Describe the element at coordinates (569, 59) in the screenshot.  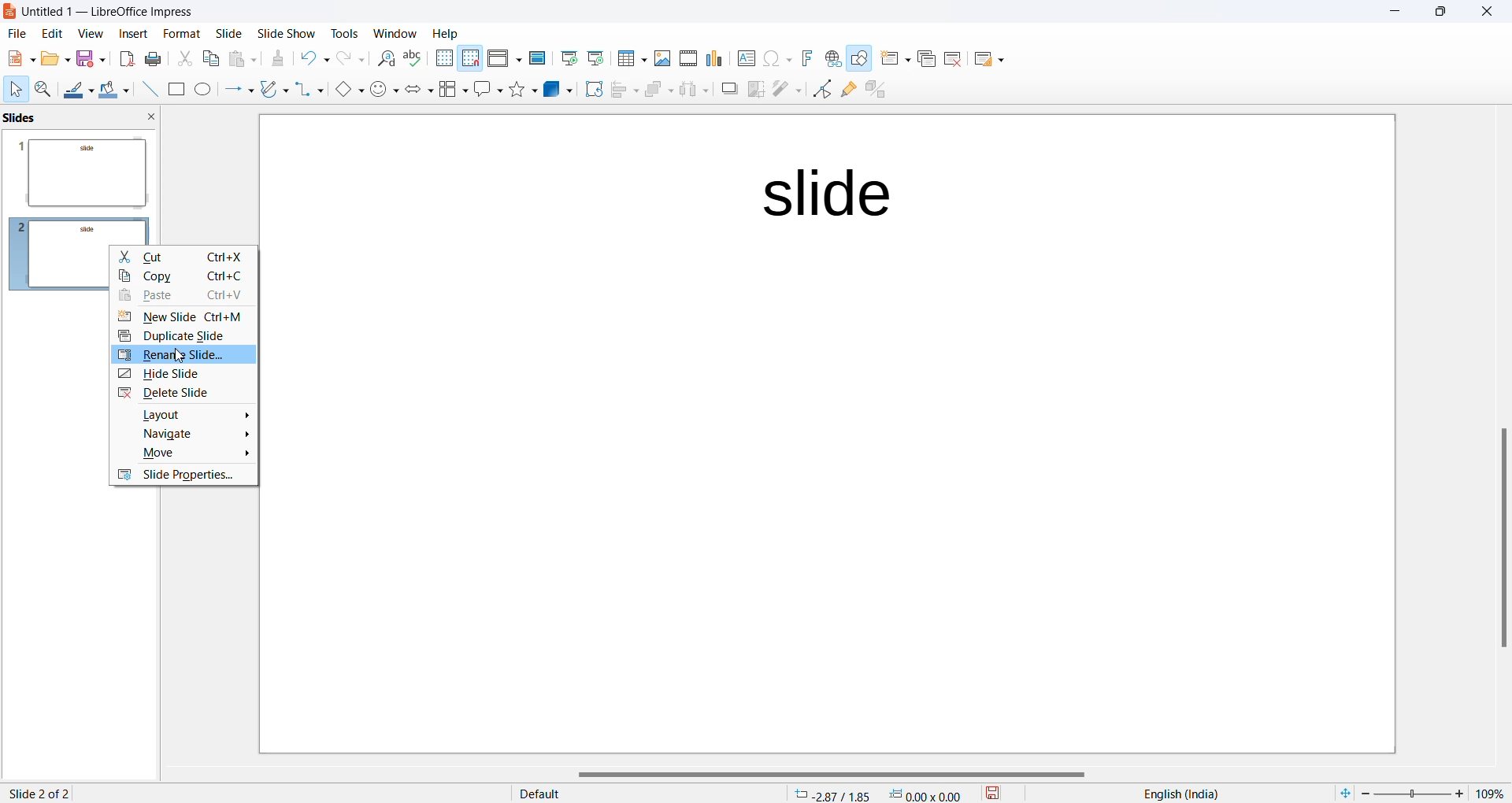
I see `Start from first slide` at that location.